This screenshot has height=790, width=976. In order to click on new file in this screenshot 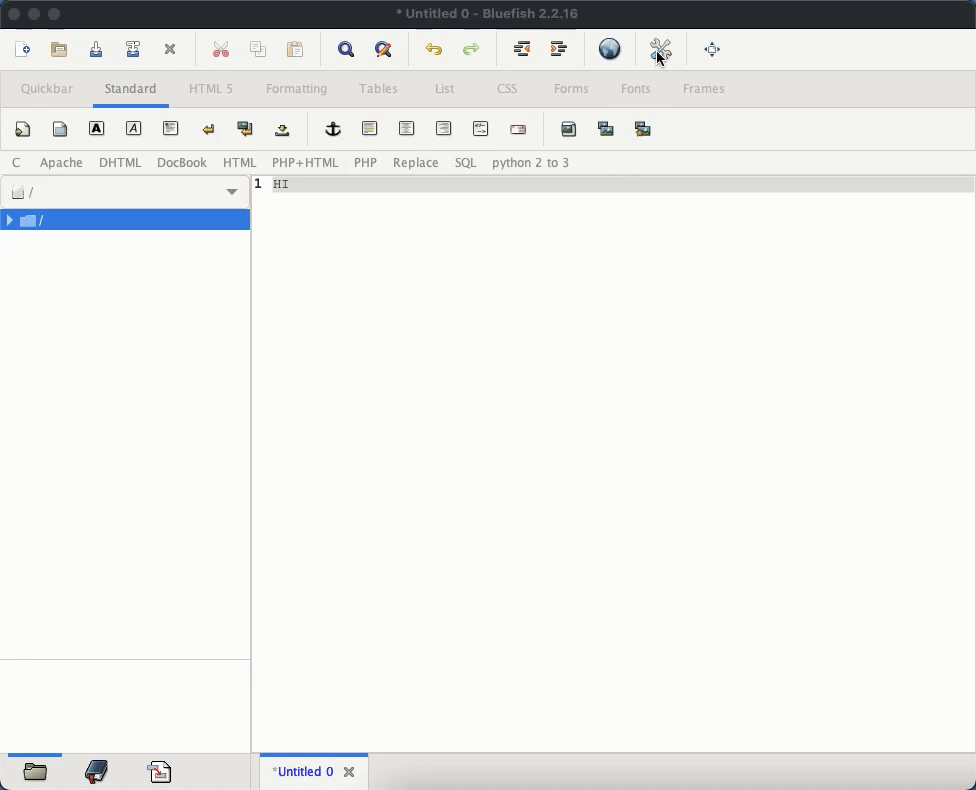, I will do `click(26, 50)`.